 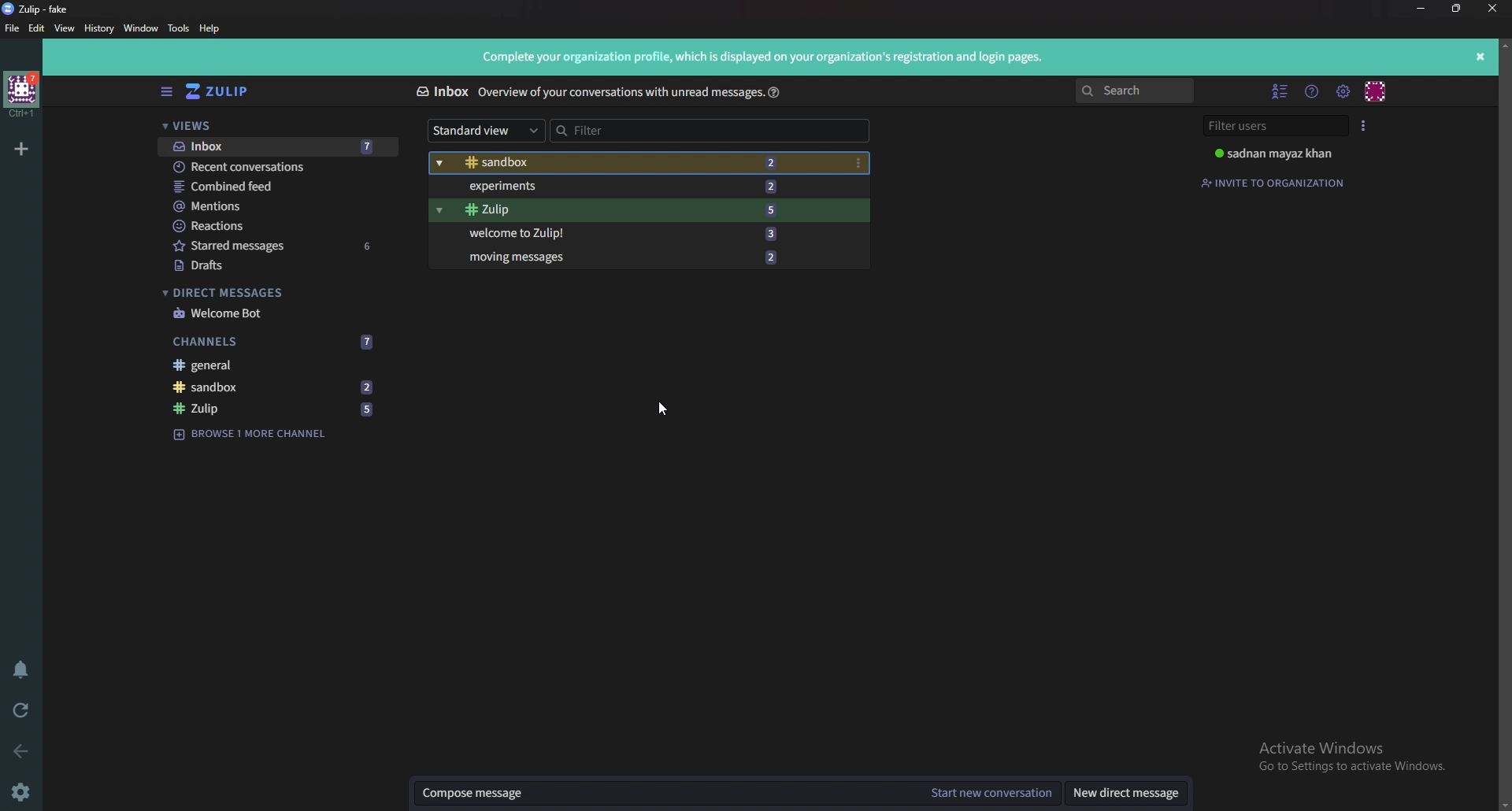 I want to click on edit, so click(x=35, y=30).